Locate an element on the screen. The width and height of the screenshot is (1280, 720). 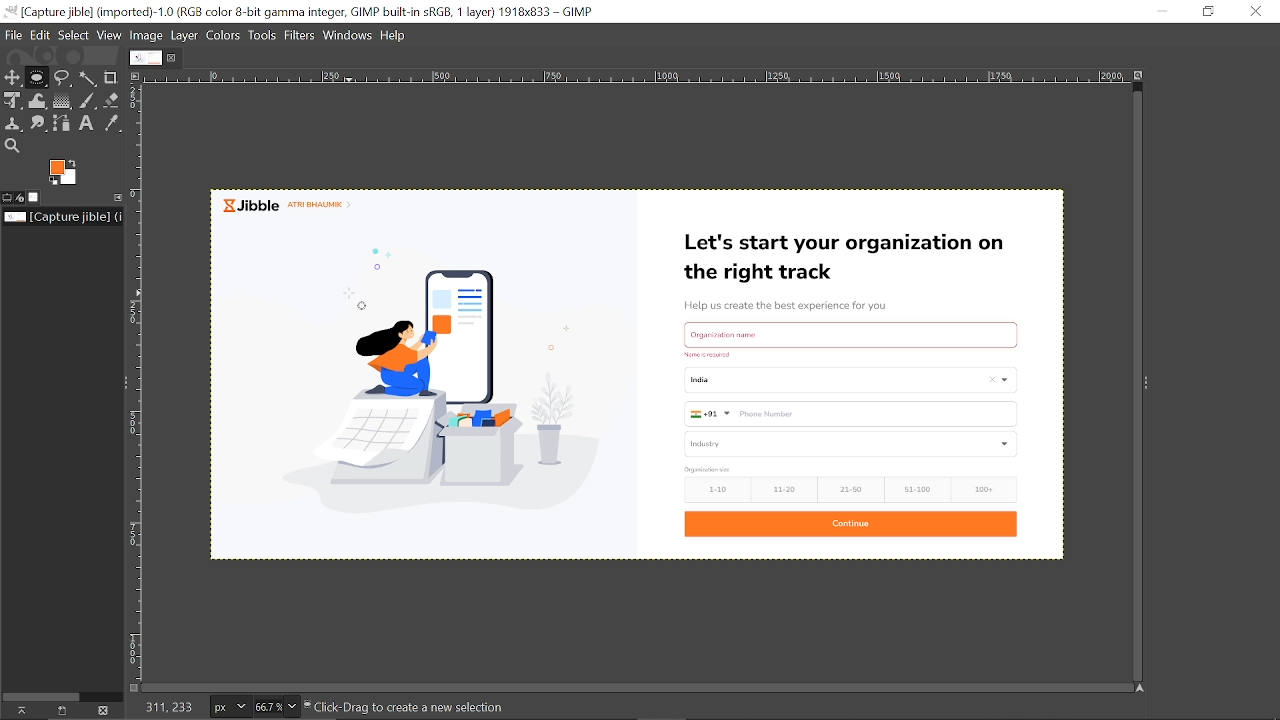
Close is located at coordinates (1255, 11).